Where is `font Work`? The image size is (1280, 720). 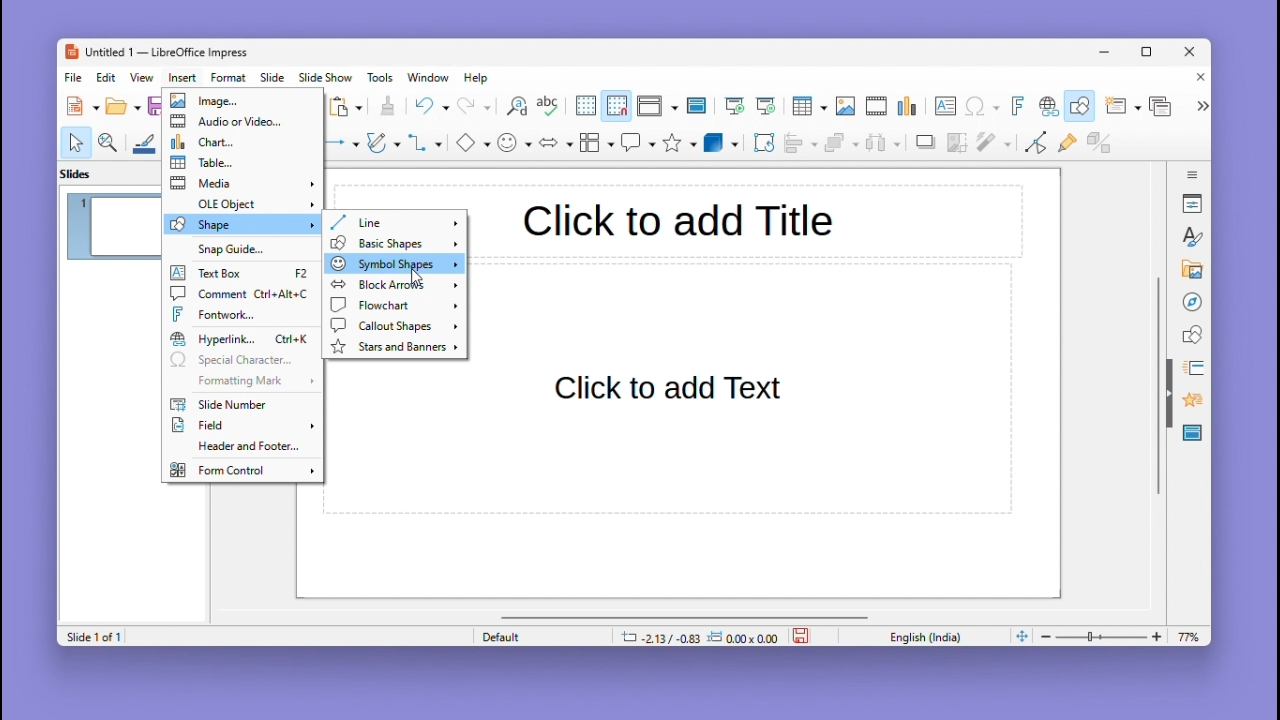
font Work is located at coordinates (243, 314).